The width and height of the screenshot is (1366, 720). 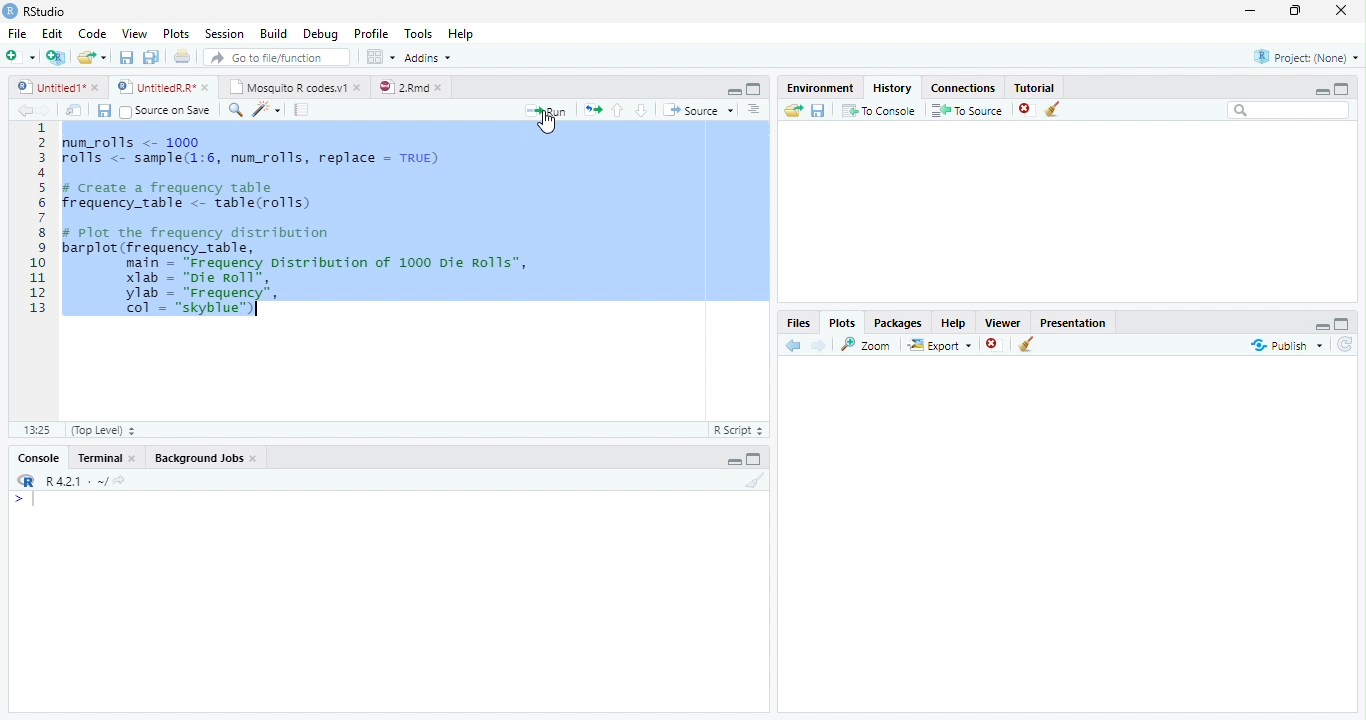 What do you see at coordinates (1344, 324) in the screenshot?
I see `Full Height` at bounding box center [1344, 324].